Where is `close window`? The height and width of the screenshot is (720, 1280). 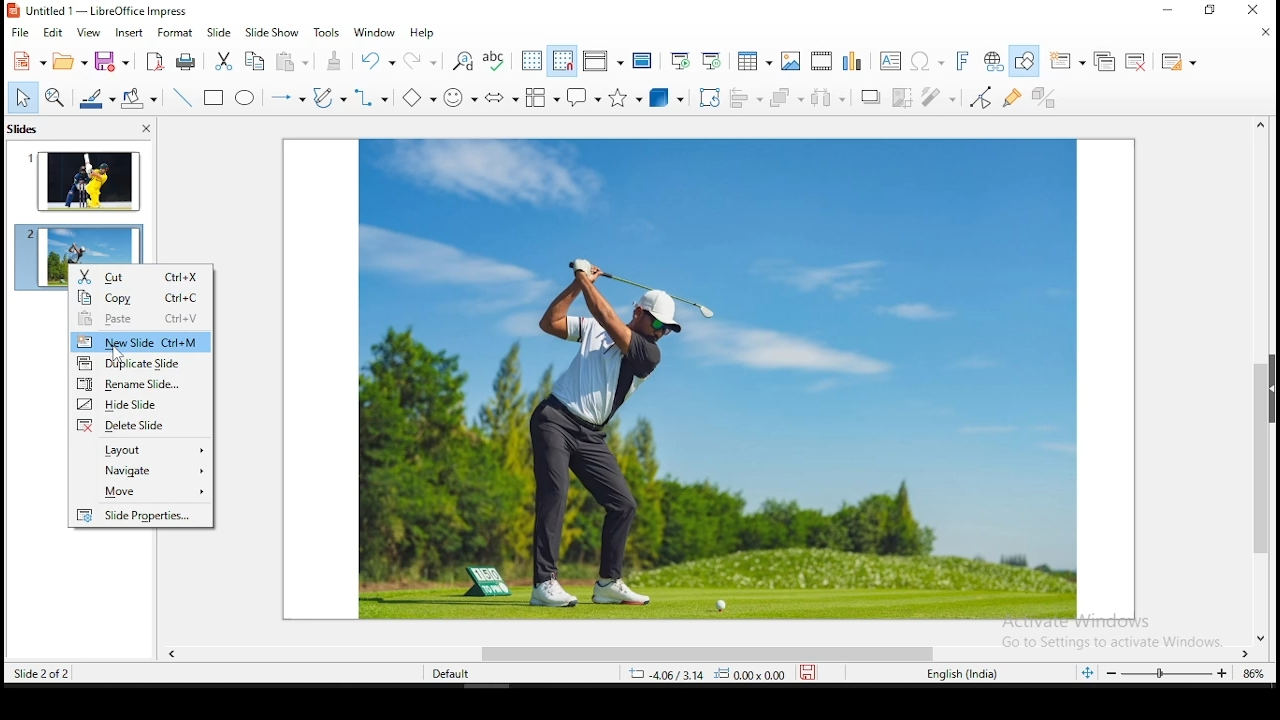 close window is located at coordinates (1250, 9).